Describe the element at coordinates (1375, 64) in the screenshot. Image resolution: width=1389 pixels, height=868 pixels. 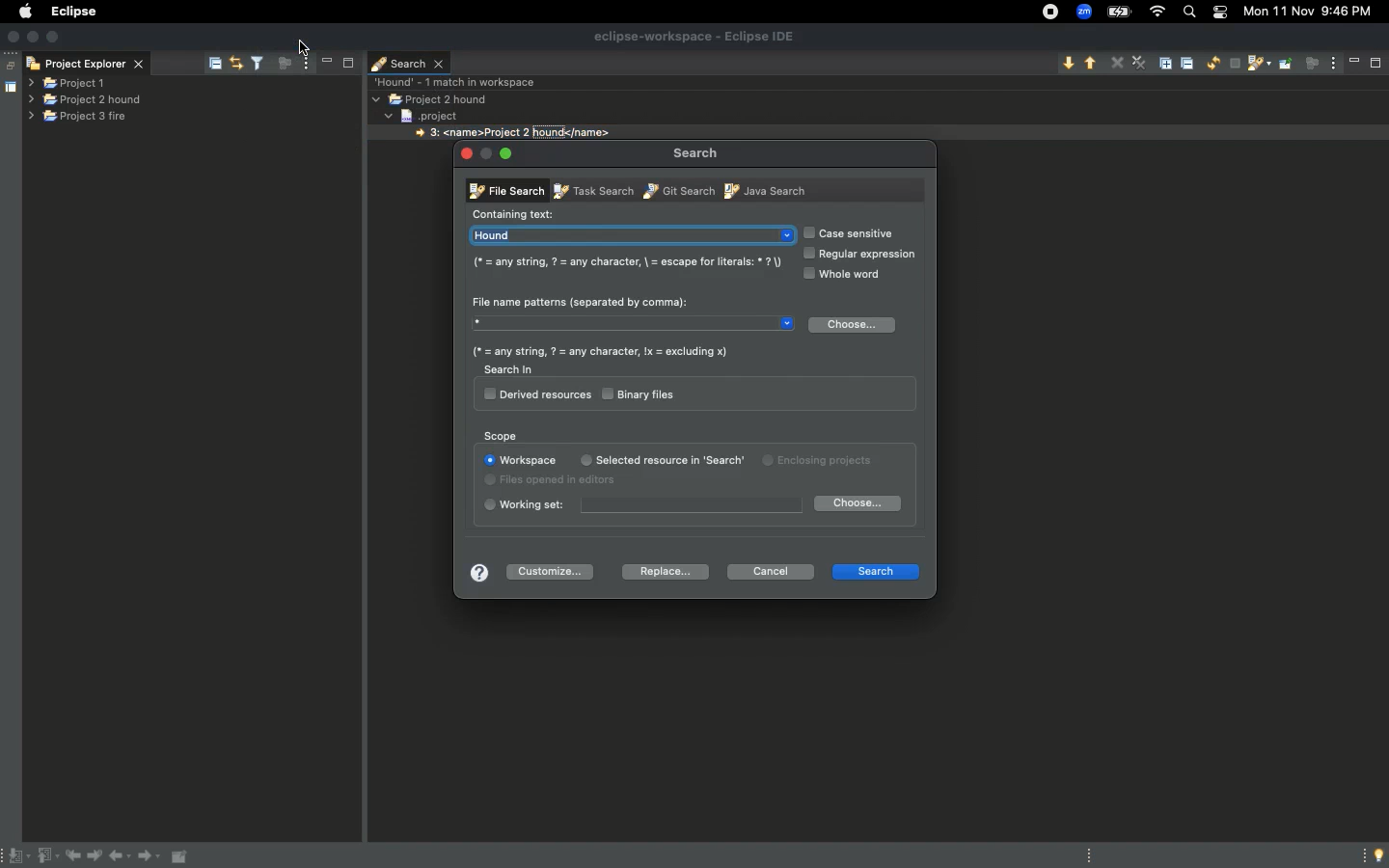
I see `maximise` at that location.